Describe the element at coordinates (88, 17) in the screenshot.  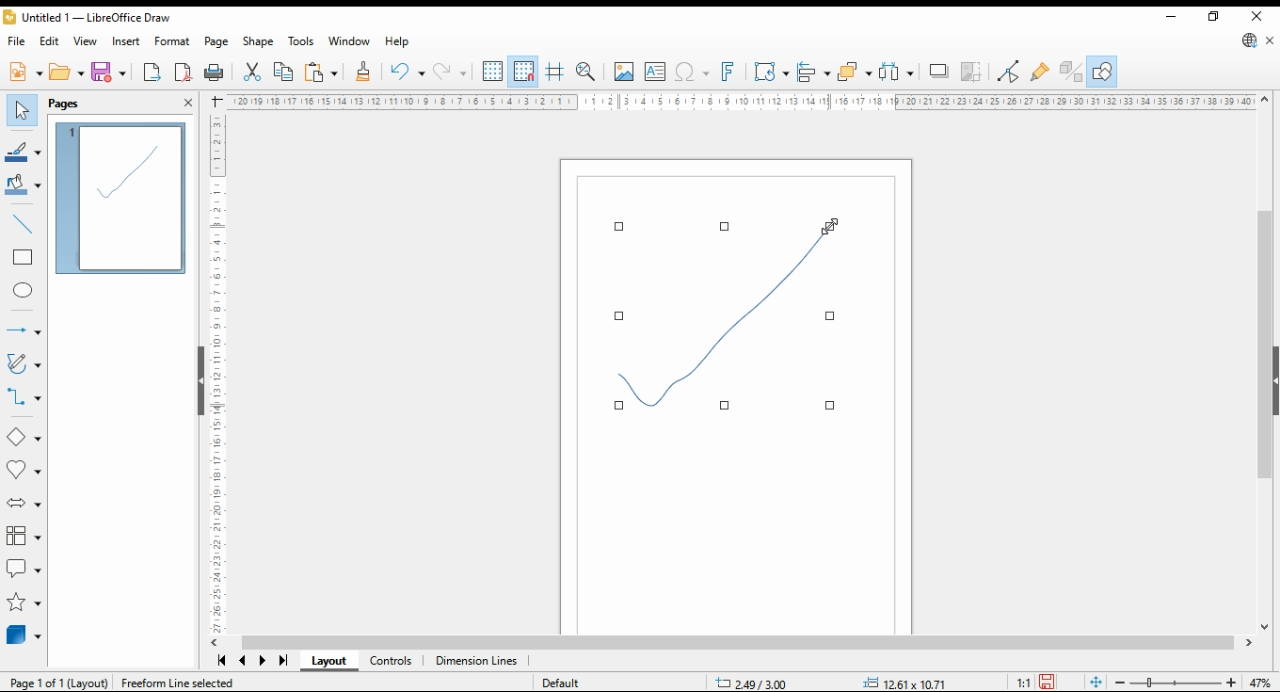
I see `icon and file name` at that location.